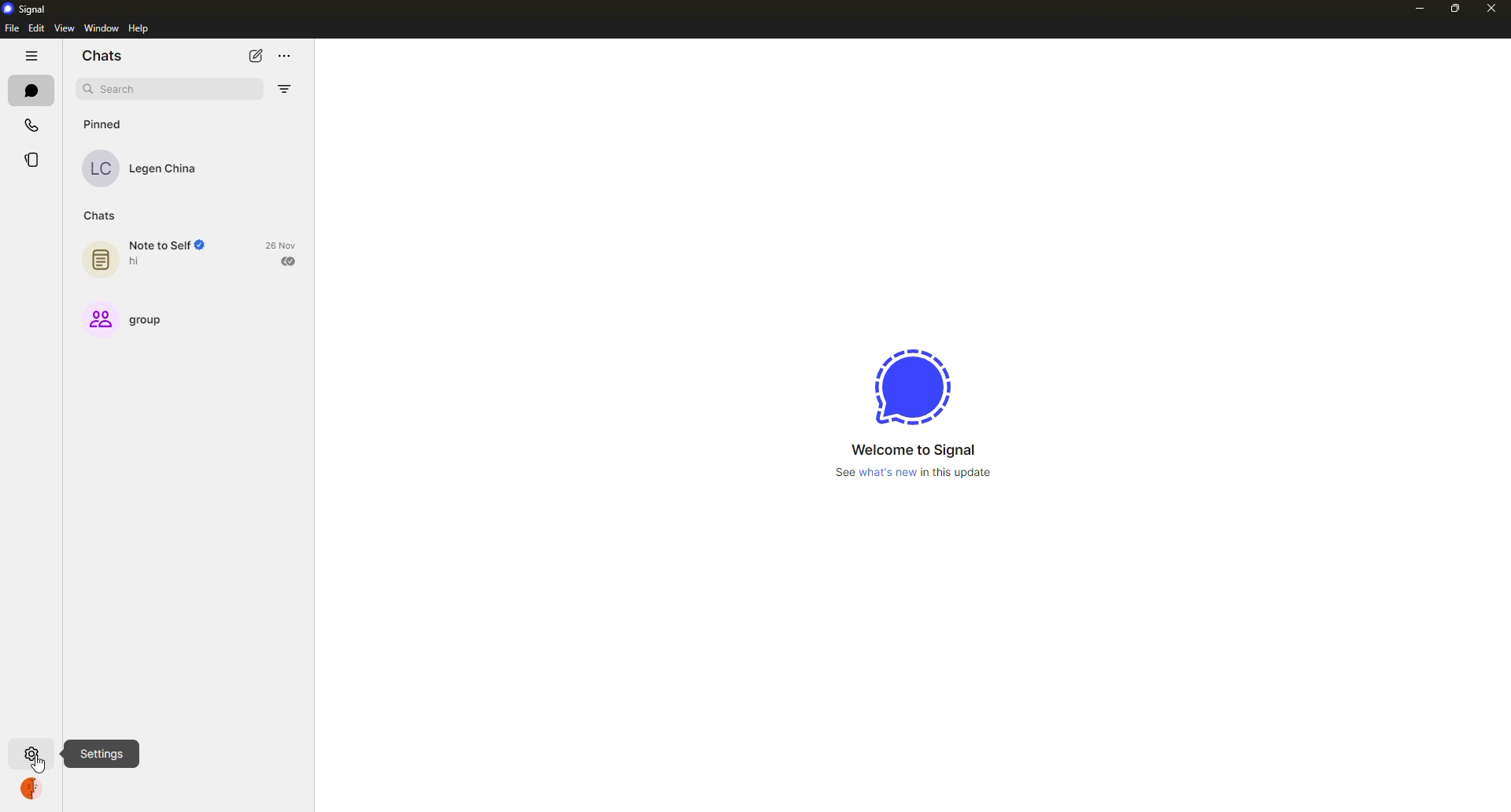  Describe the element at coordinates (255, 55) in the screenshot. I see `new chat` at that location.